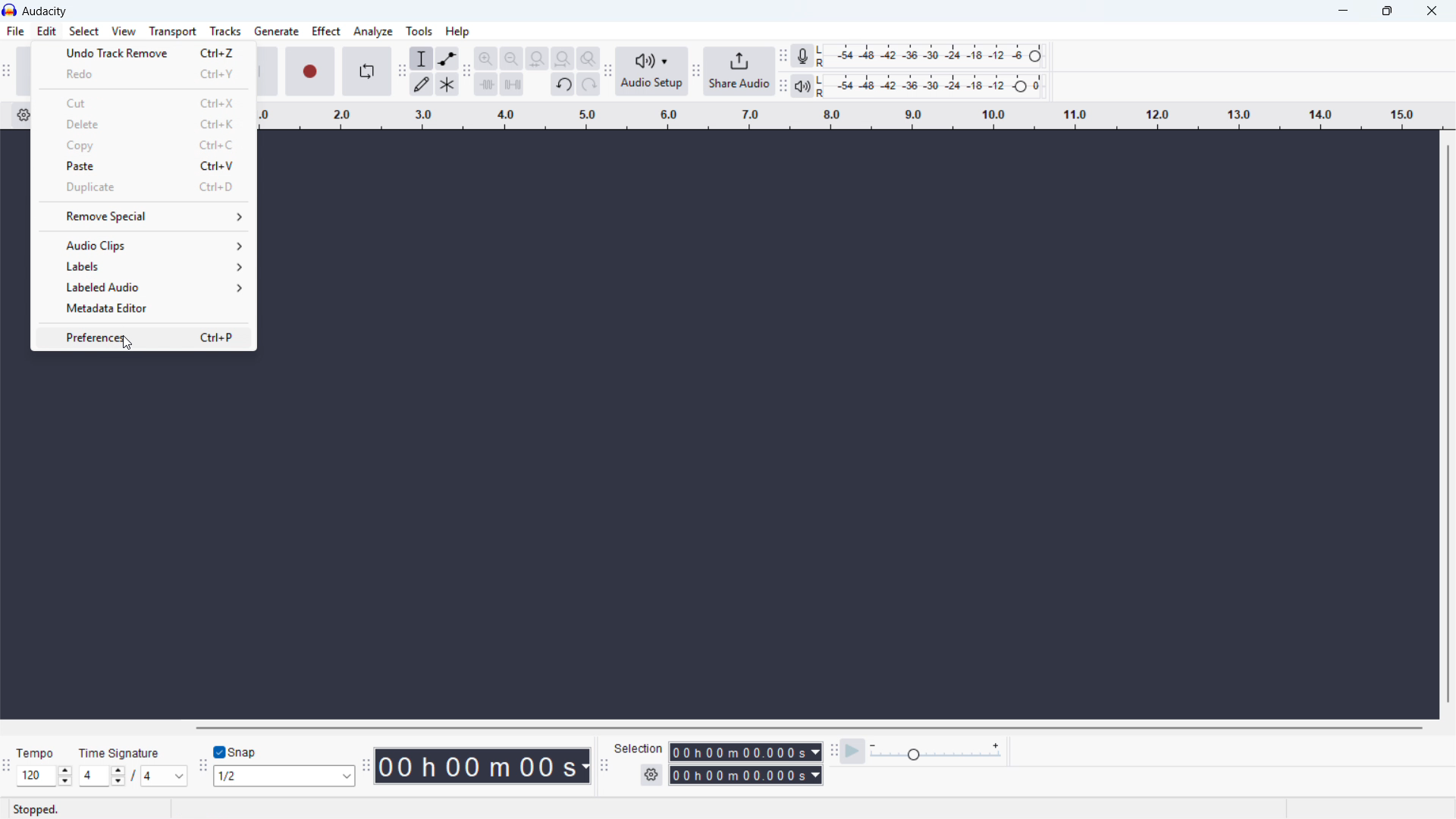 This screenshot has width=1456, height=819. What do you see at coordinates (1447, 425) in the screenshot?
I see `vertical scrollbar` at bounding box center [1447, 425].